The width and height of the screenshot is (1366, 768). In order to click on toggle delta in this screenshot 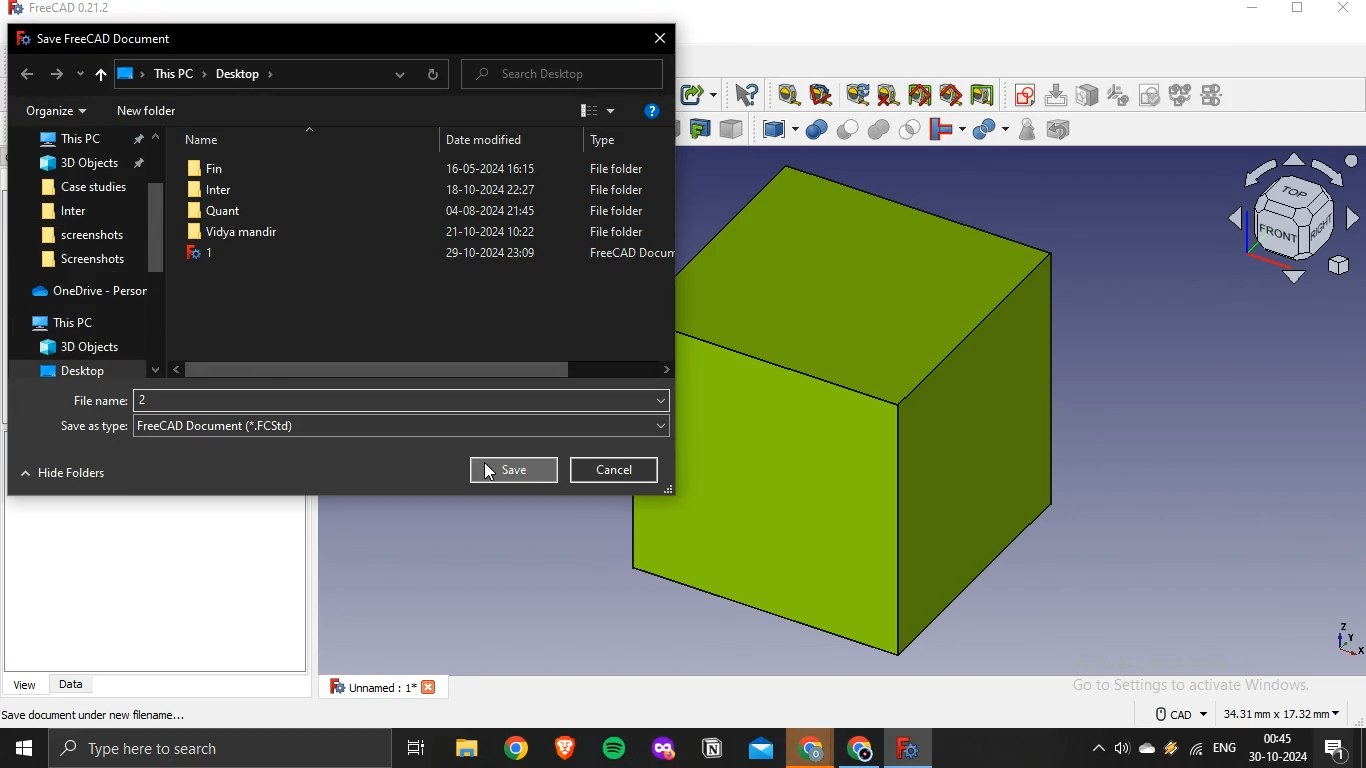, I will do `click(984, 93)`.